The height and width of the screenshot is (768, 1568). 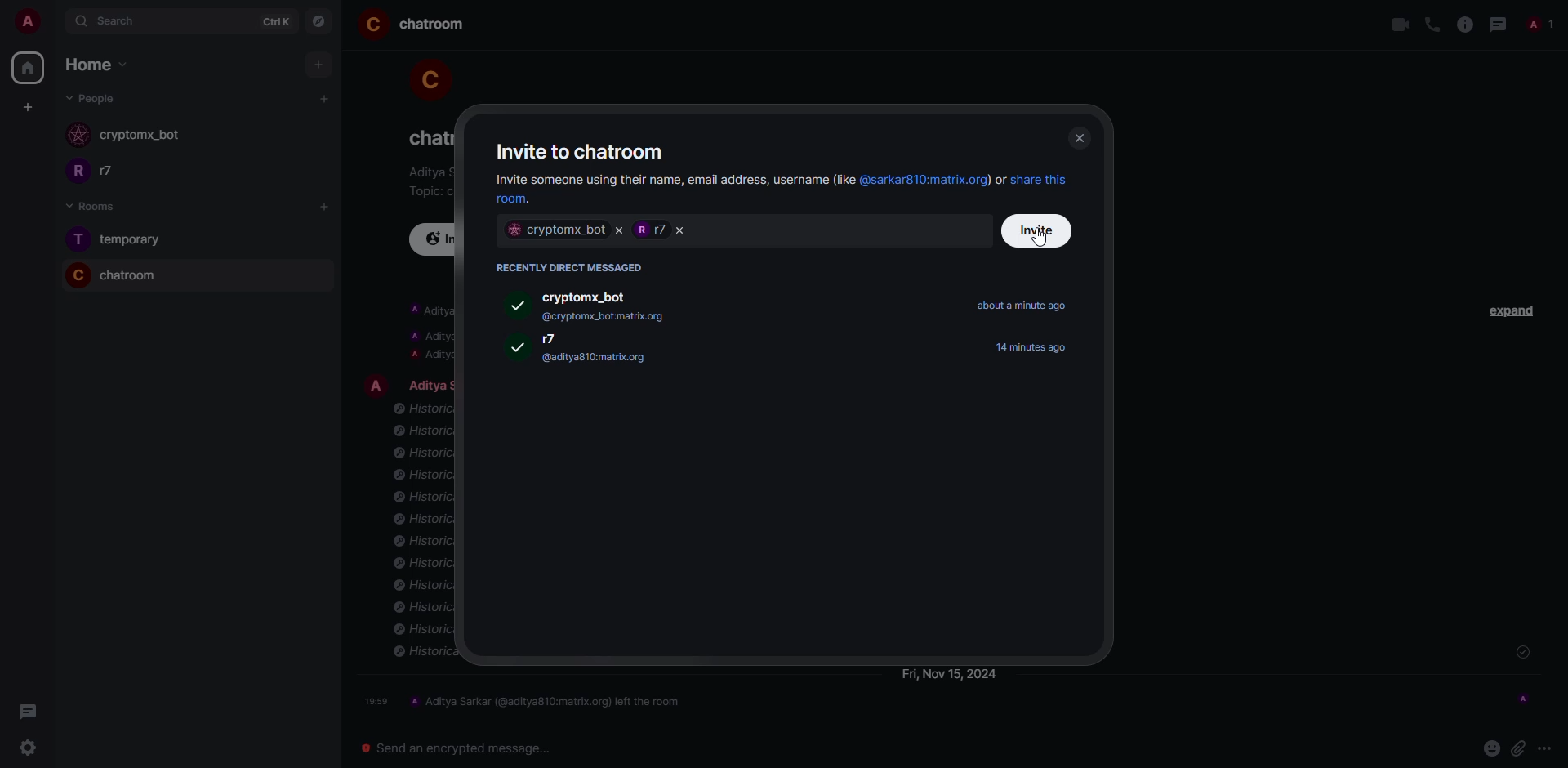 I want to click on create space, so click(x=24, y=106).